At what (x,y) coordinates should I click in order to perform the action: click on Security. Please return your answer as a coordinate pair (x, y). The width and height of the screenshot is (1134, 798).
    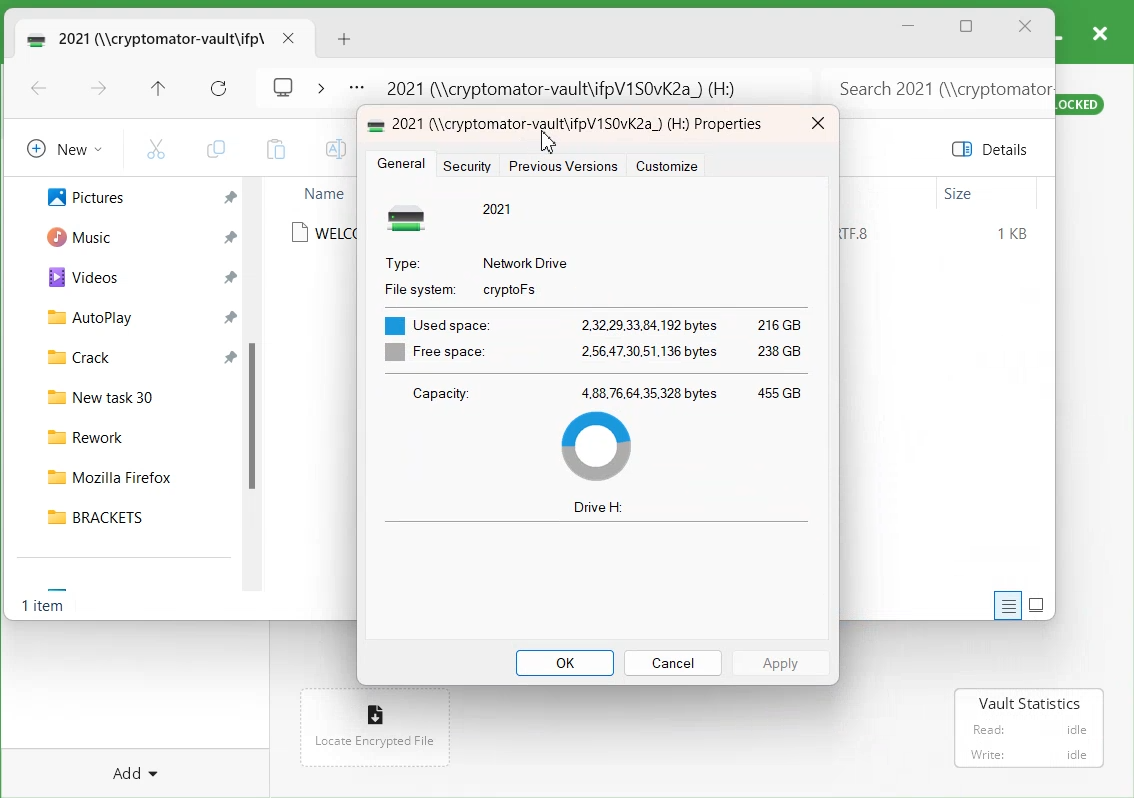
    Looking at the image, I should click on (470, 165).